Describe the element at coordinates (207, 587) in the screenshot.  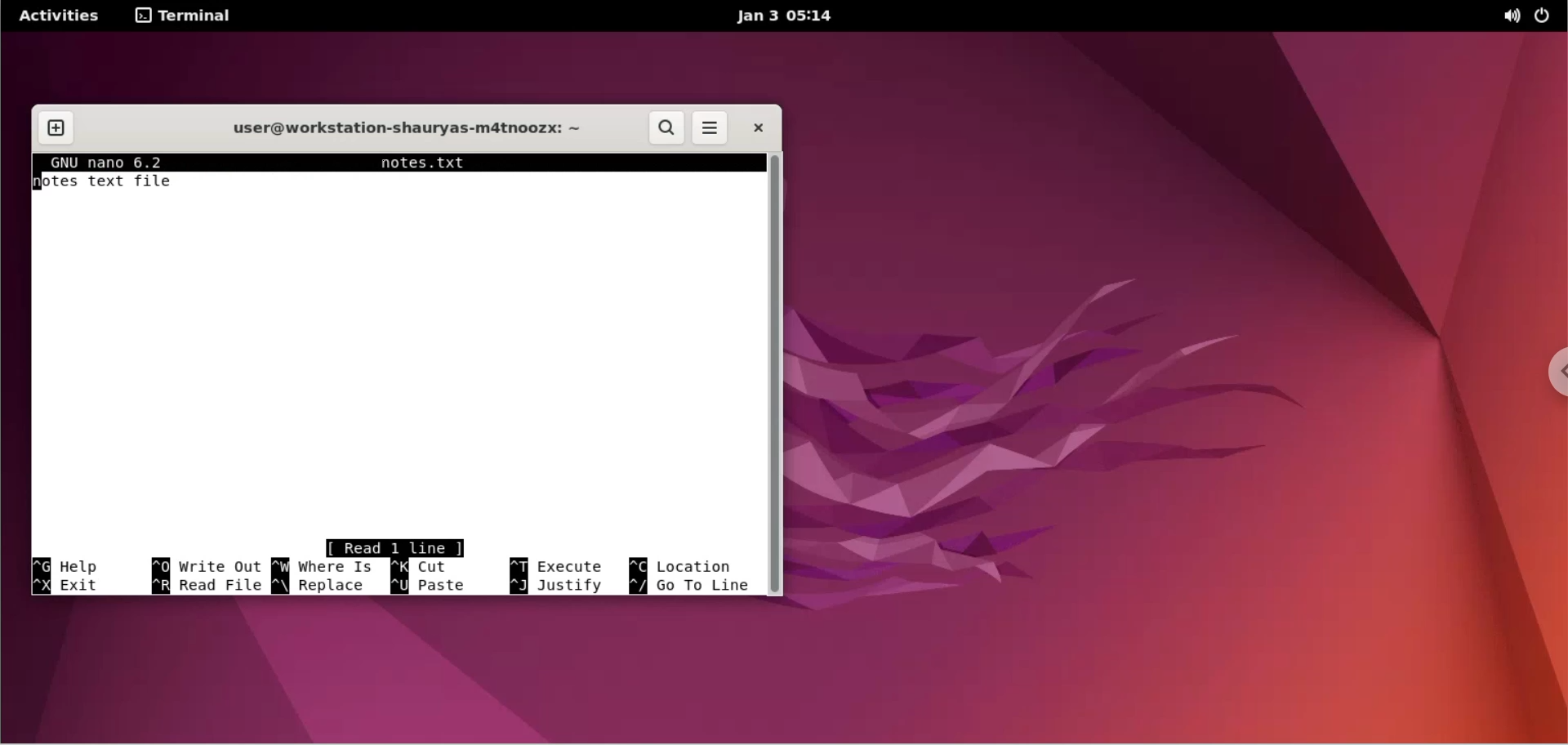
I see `^ R read file` at that location.